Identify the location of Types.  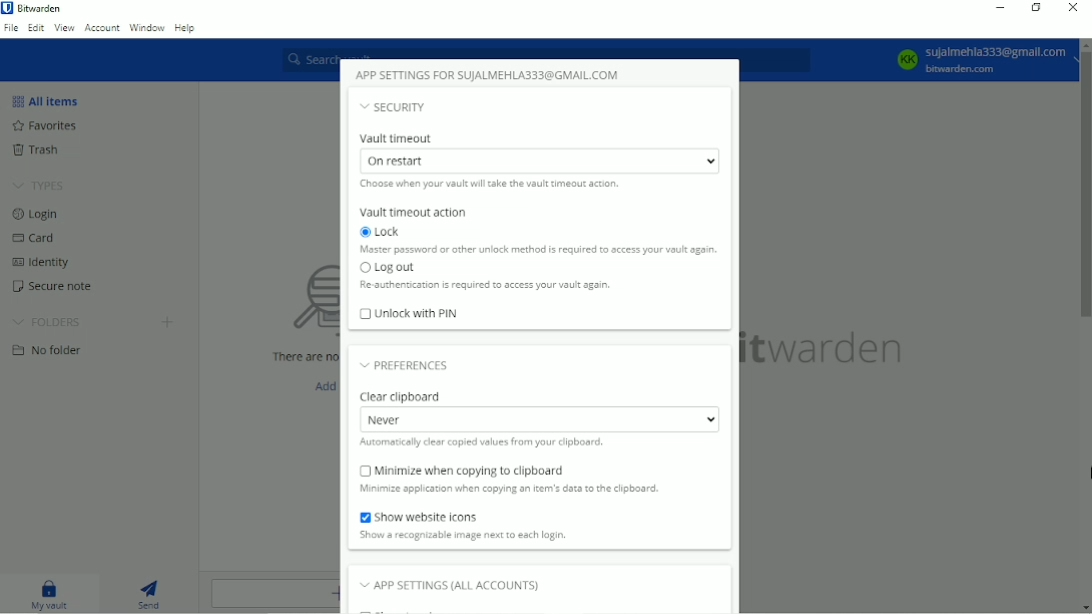
(41, 184).